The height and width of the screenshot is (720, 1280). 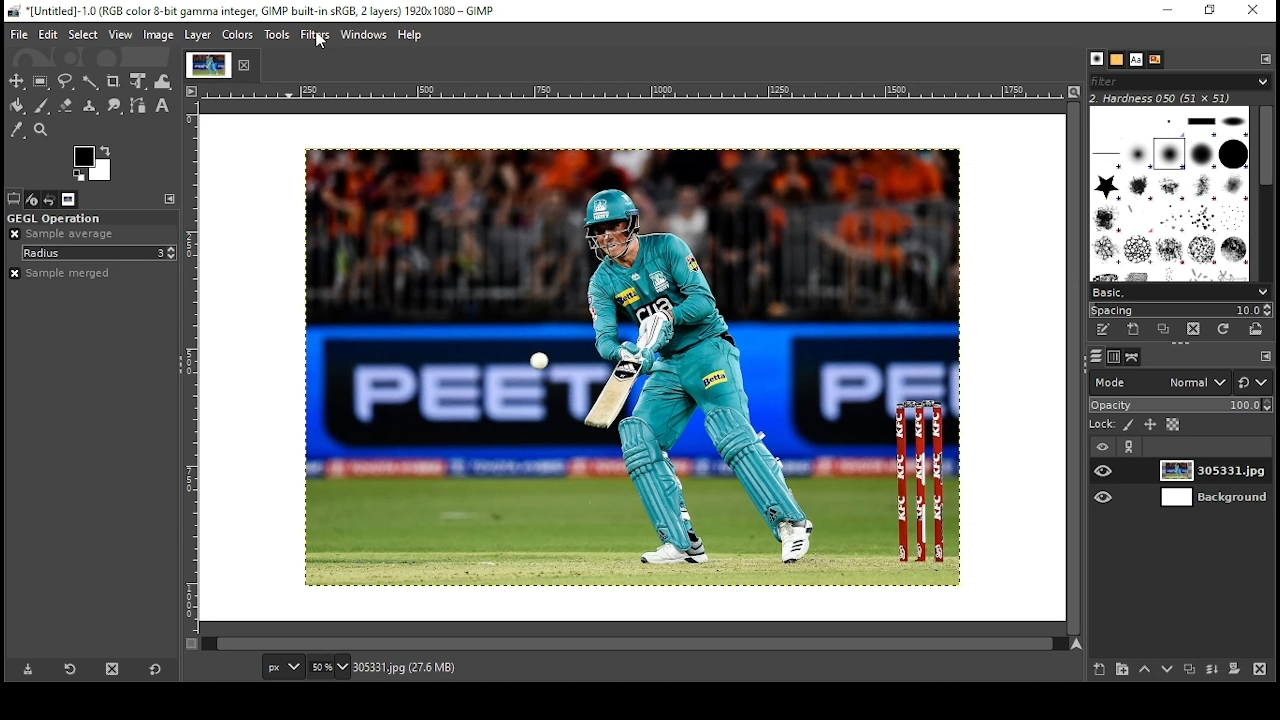 What do you see at coordinates (163, 79) in the screenshot?
I see `warp transform` at bounding box center [163, 79].